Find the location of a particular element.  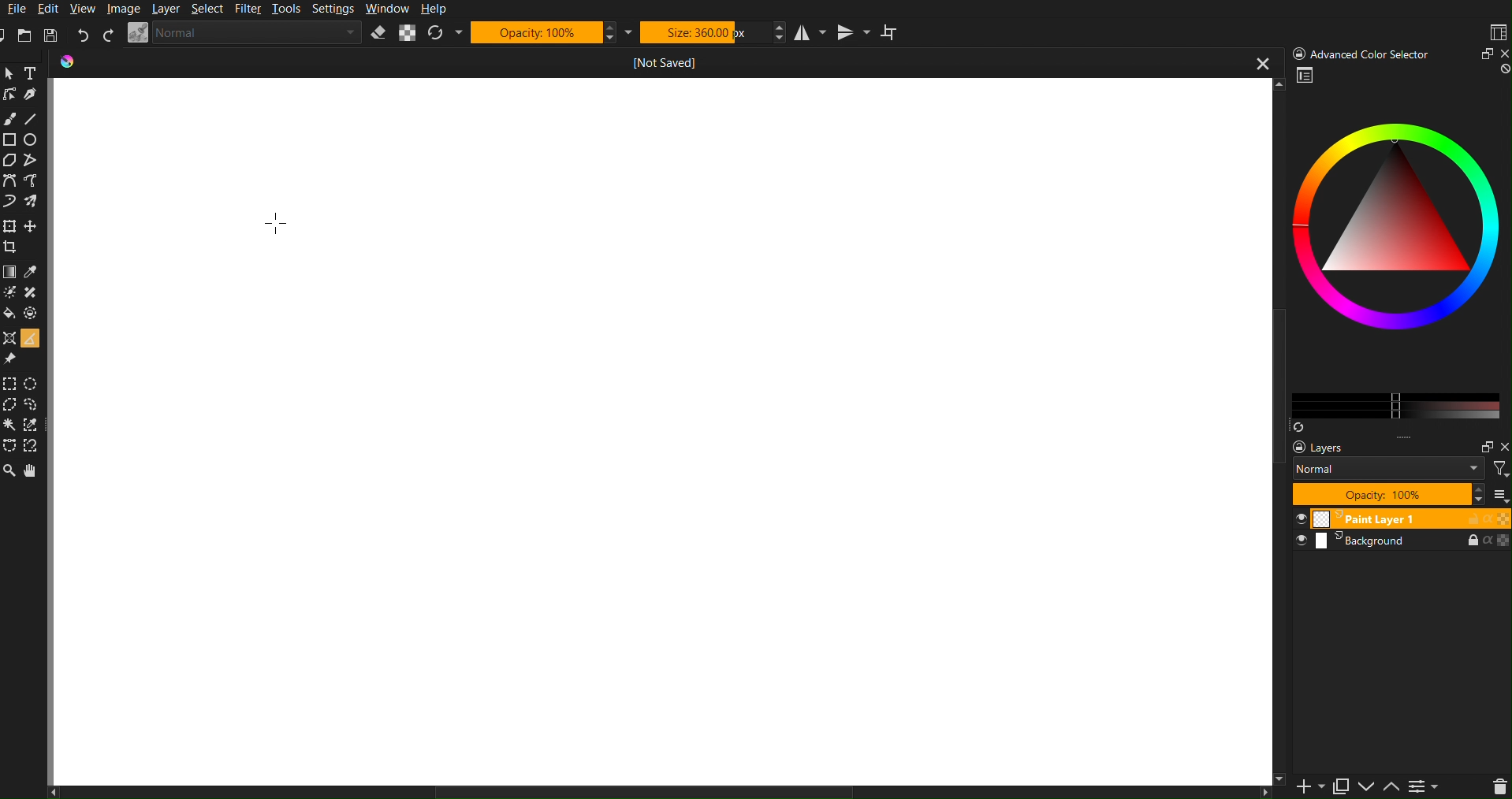

Advanced Color Selector is located at coordinates (1396, 248).